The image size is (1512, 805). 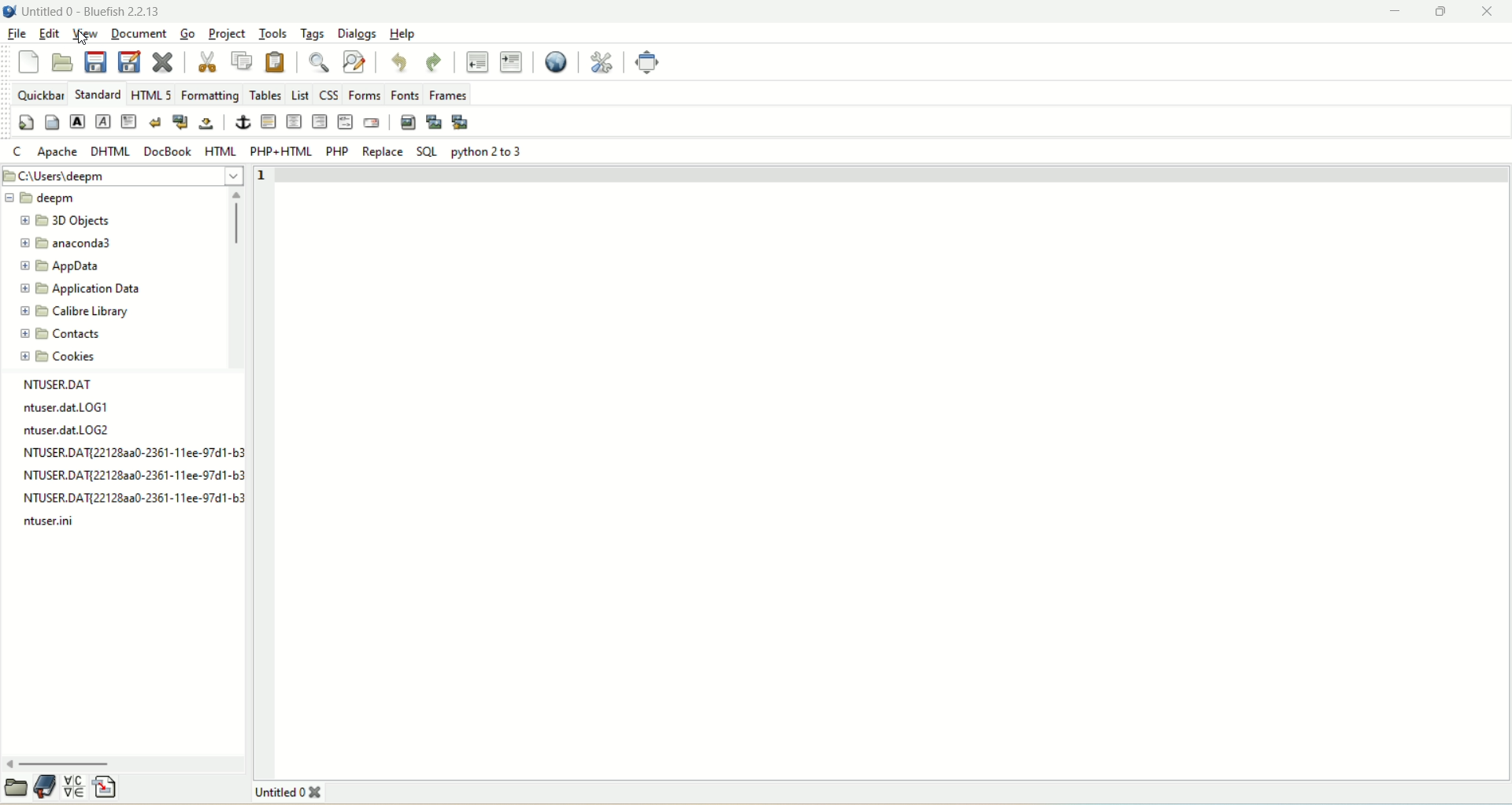 What do you see at coordinates (96, 61) in the screenshot?
I see `save current file` at bounding box center [96, 61].